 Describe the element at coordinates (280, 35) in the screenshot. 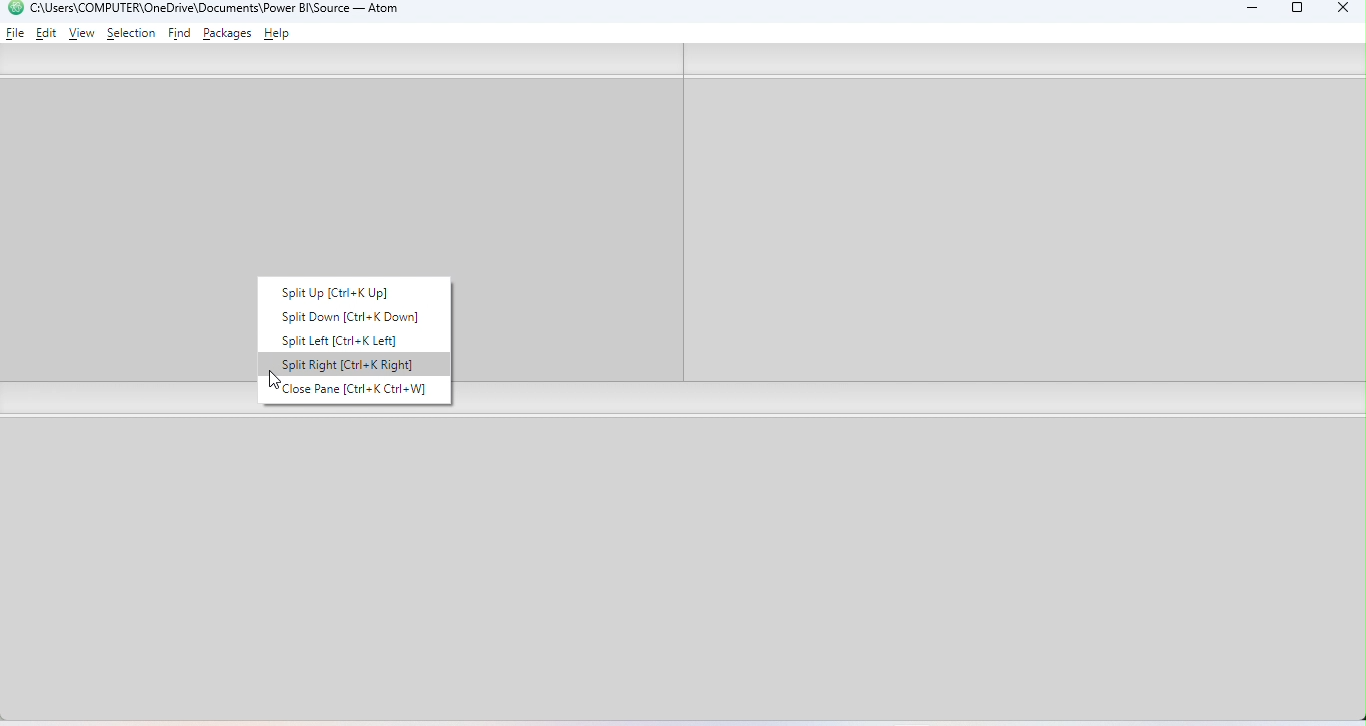

I see `Help` at that location.